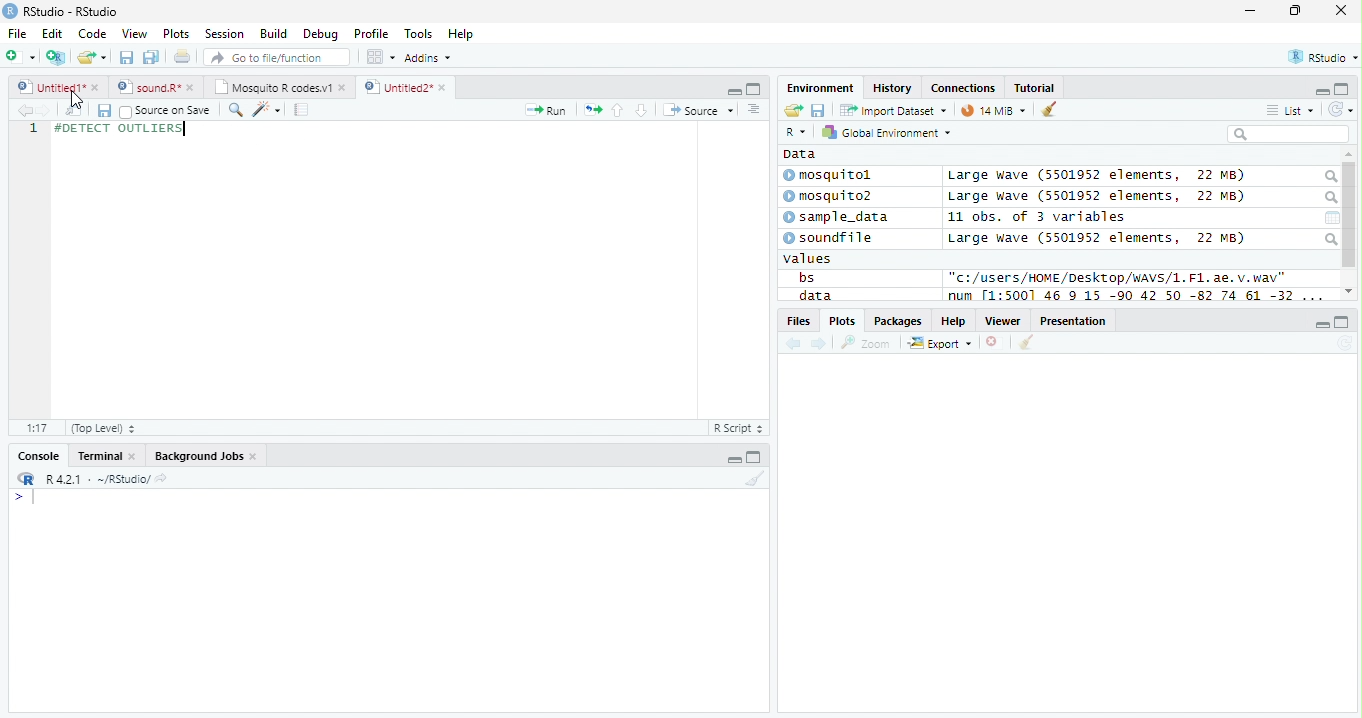 Image resolution: width=1362 pixels, height=718 pixels. What do you see at coordinates (1322, 323) in the screenshot?
I see `minimize` at bounding box center [1322, 323].